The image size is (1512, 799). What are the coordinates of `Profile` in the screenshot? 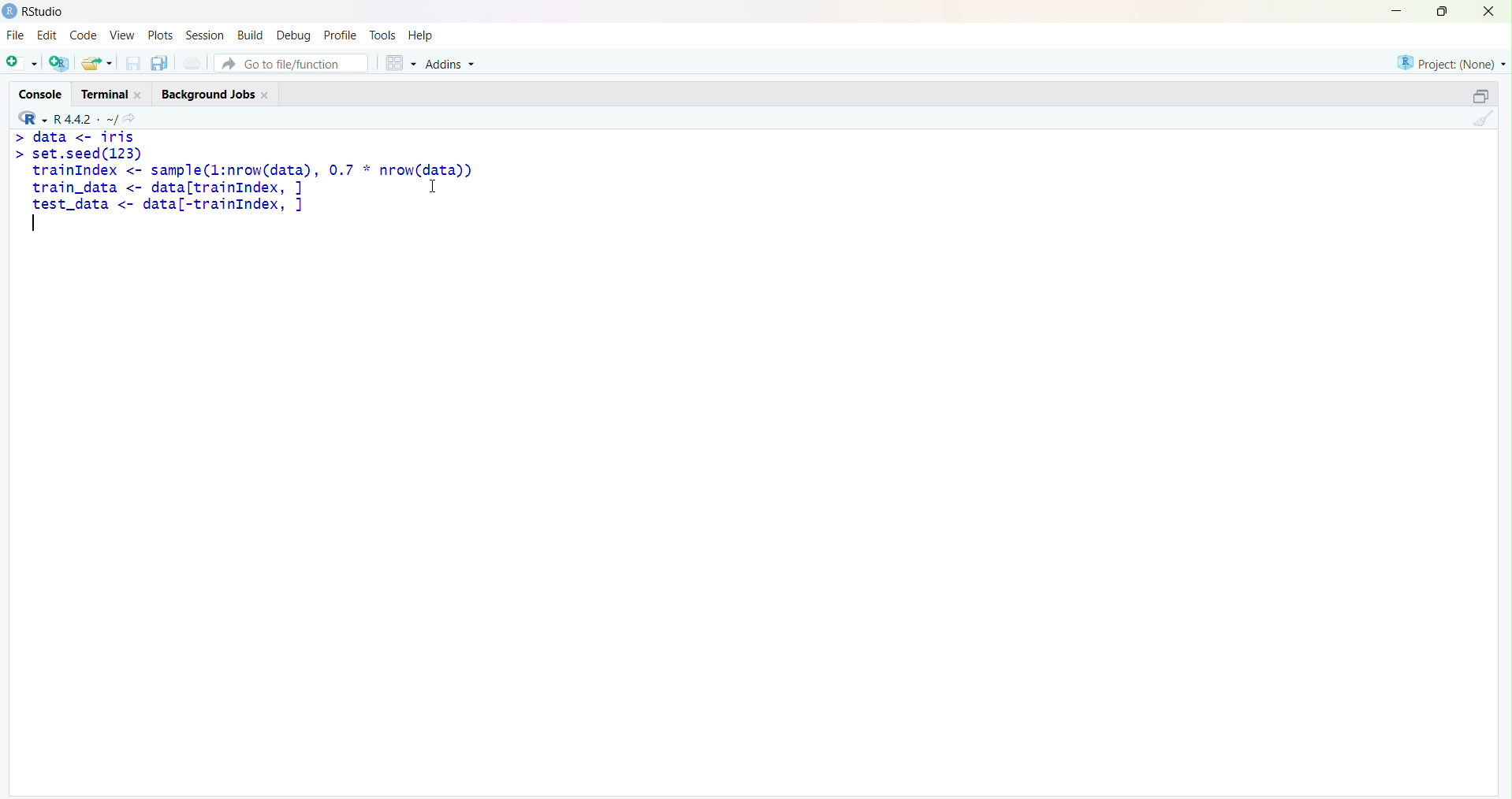 It's located at (340, 35).